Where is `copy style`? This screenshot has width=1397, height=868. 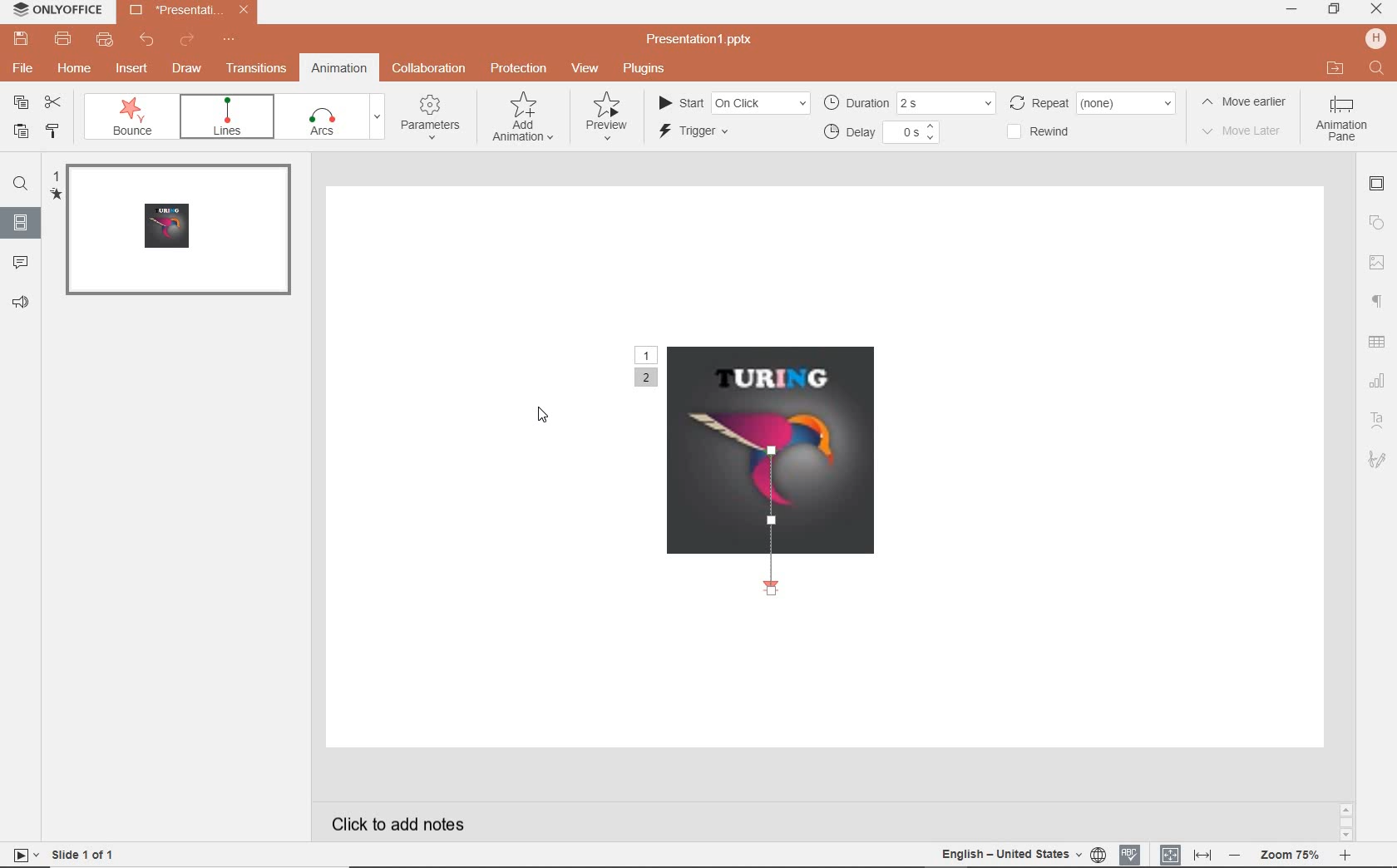
copy style is located at coordinates (54, 131).